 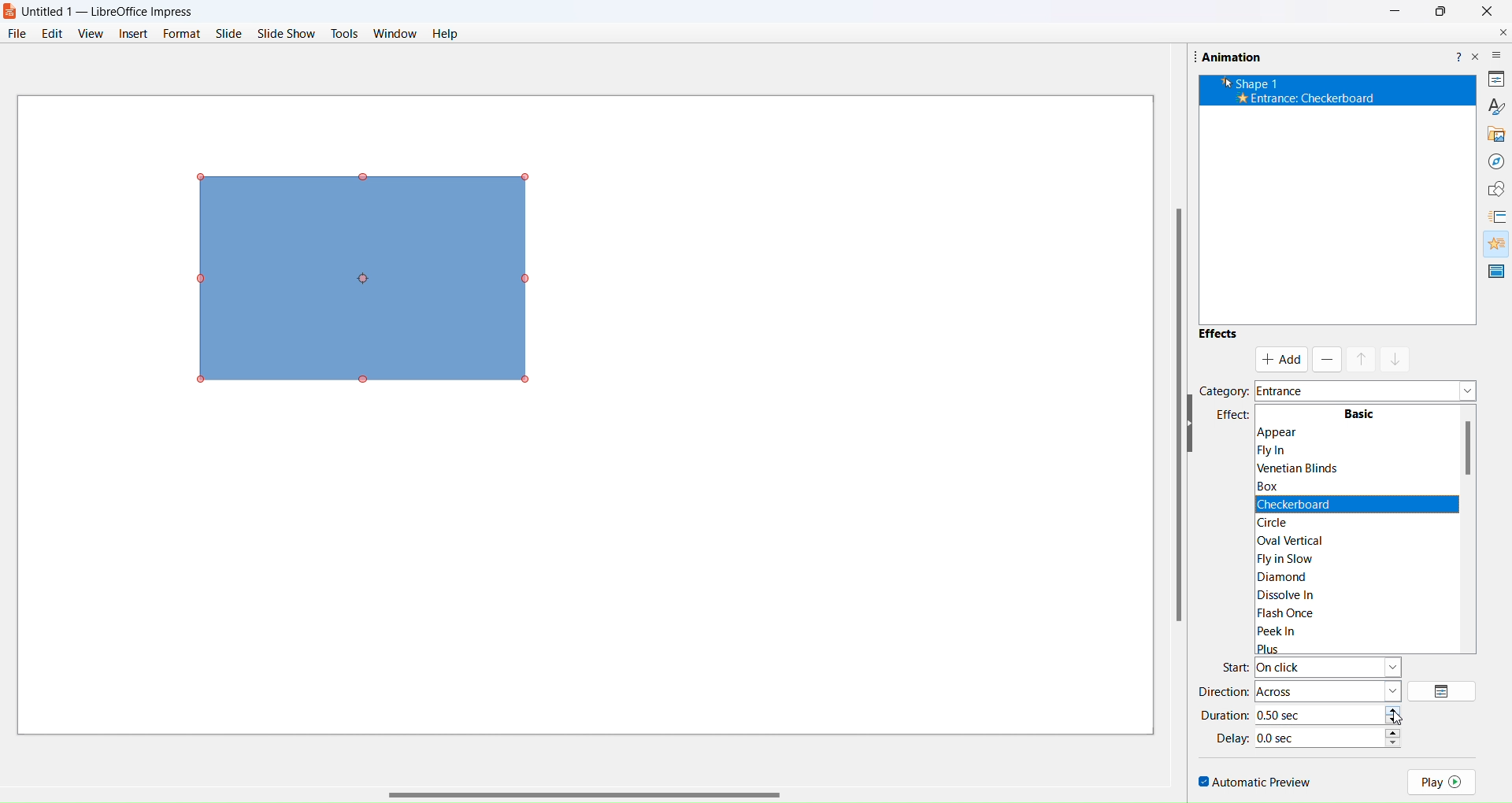 What do you see at coordinates (1224, 416) in the screenshot?
I see `effects` at bounding box center [1224, 416].